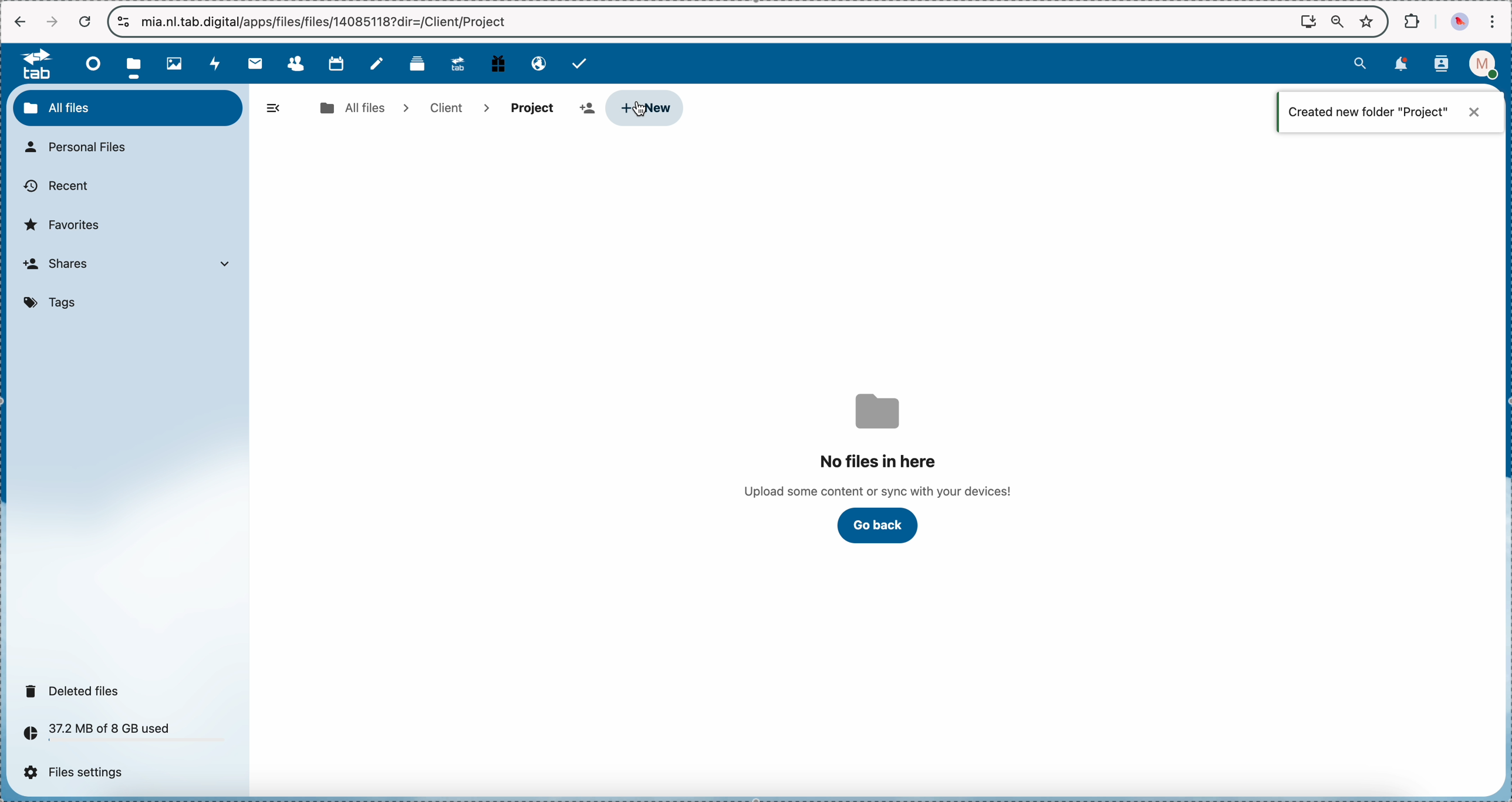 This screenshot has height=802, width=1512. What do you see at coordinates (31, 63) in the screenshot?
I see `tab` at bounding box center [31, 63].